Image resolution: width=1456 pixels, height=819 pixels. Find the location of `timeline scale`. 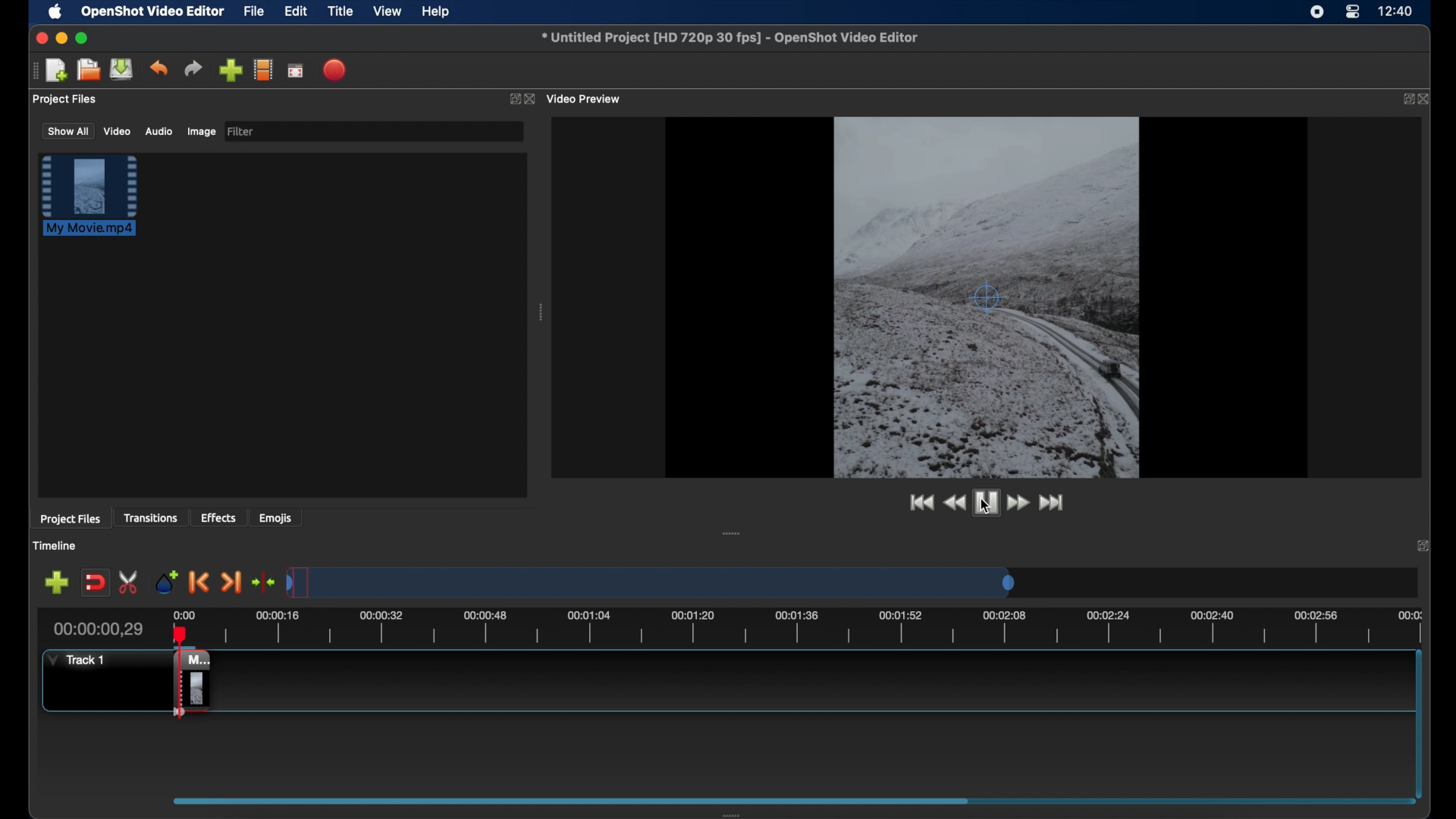

timeline scale is located at coordinates (819, 631).